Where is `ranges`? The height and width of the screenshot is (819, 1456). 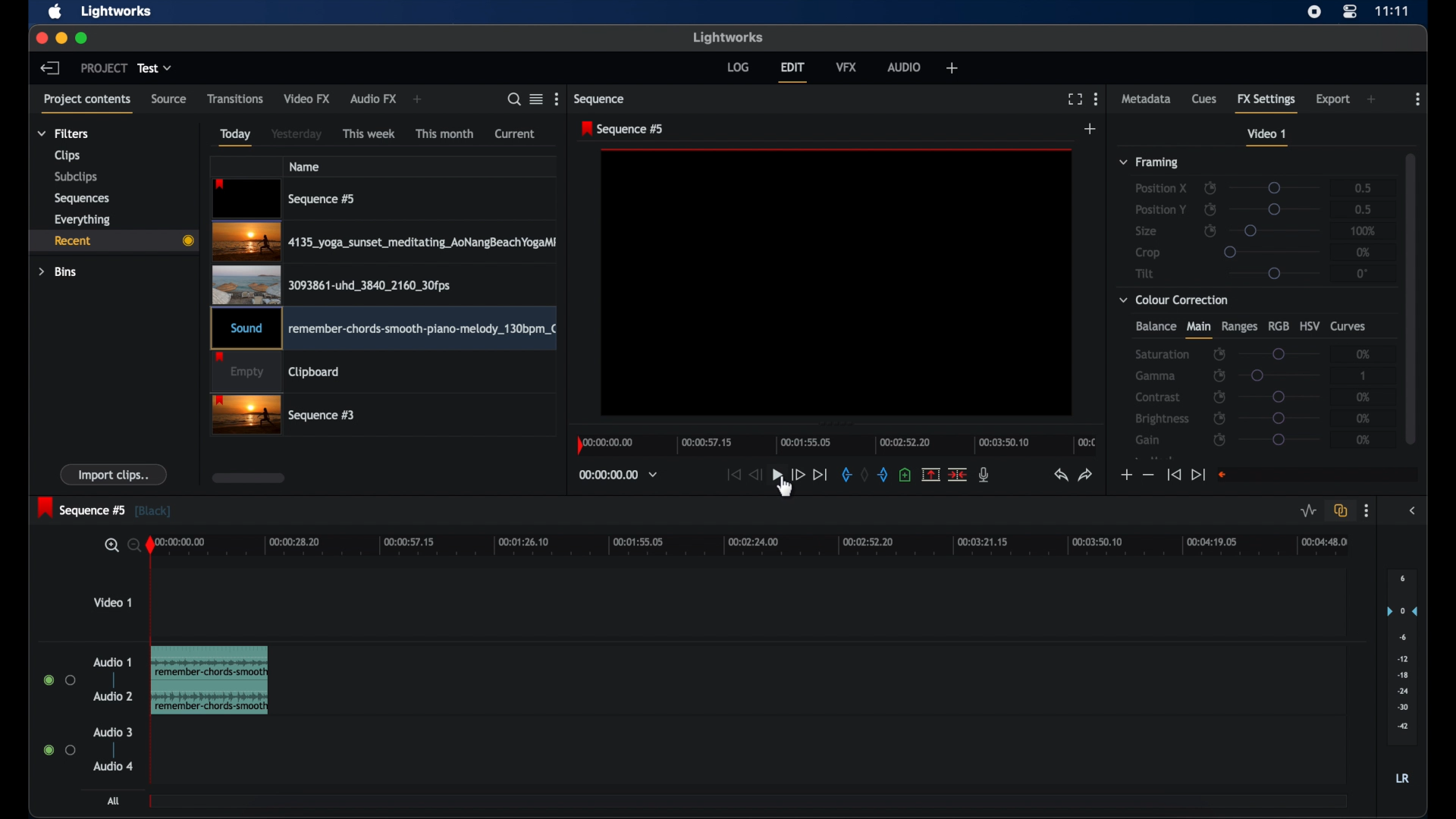 ranges is located at coordinates (1239, 327).